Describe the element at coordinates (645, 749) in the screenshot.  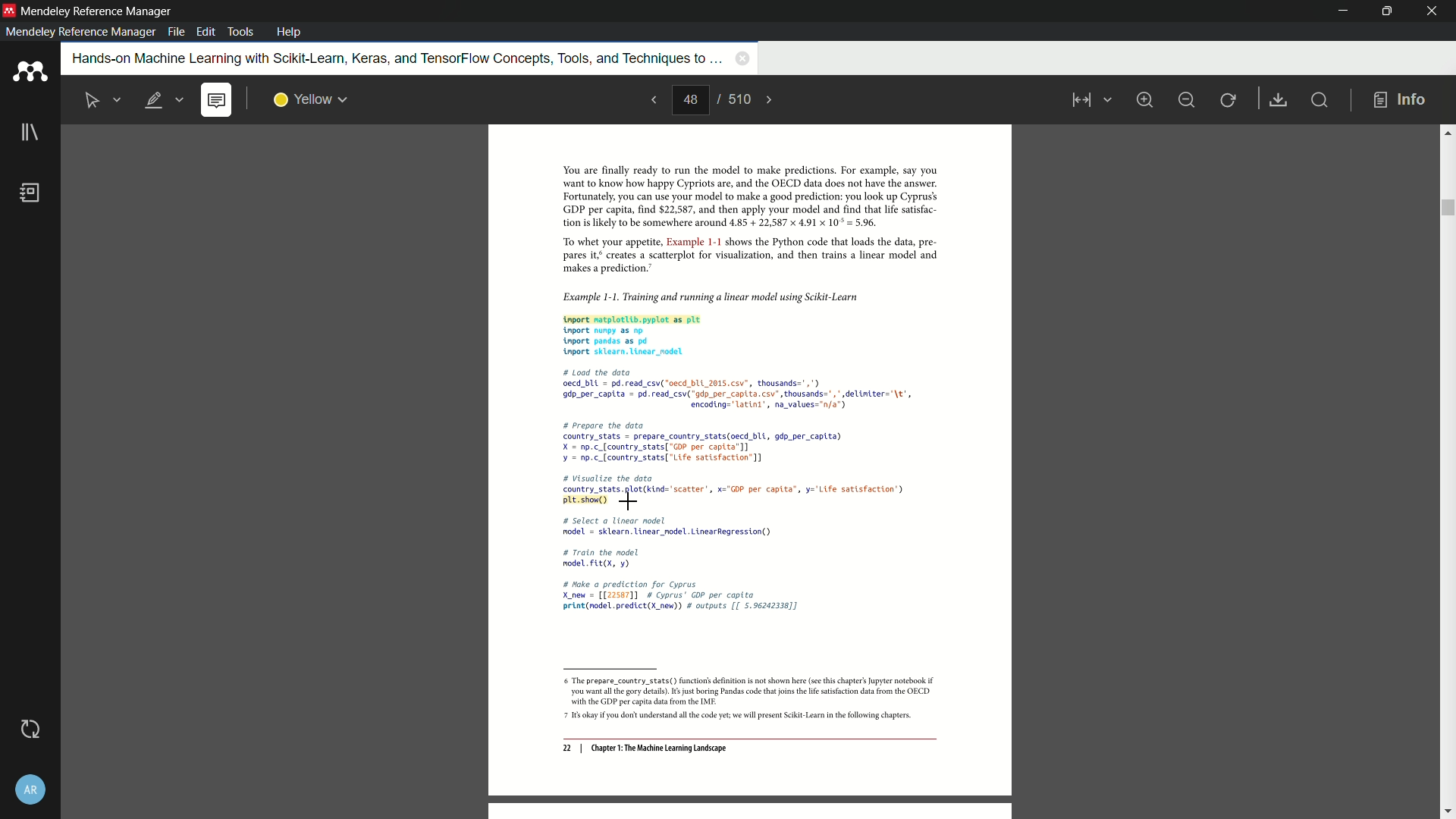
I see `22 | Chapter 1: The Machine Learning Landscape` at that location.